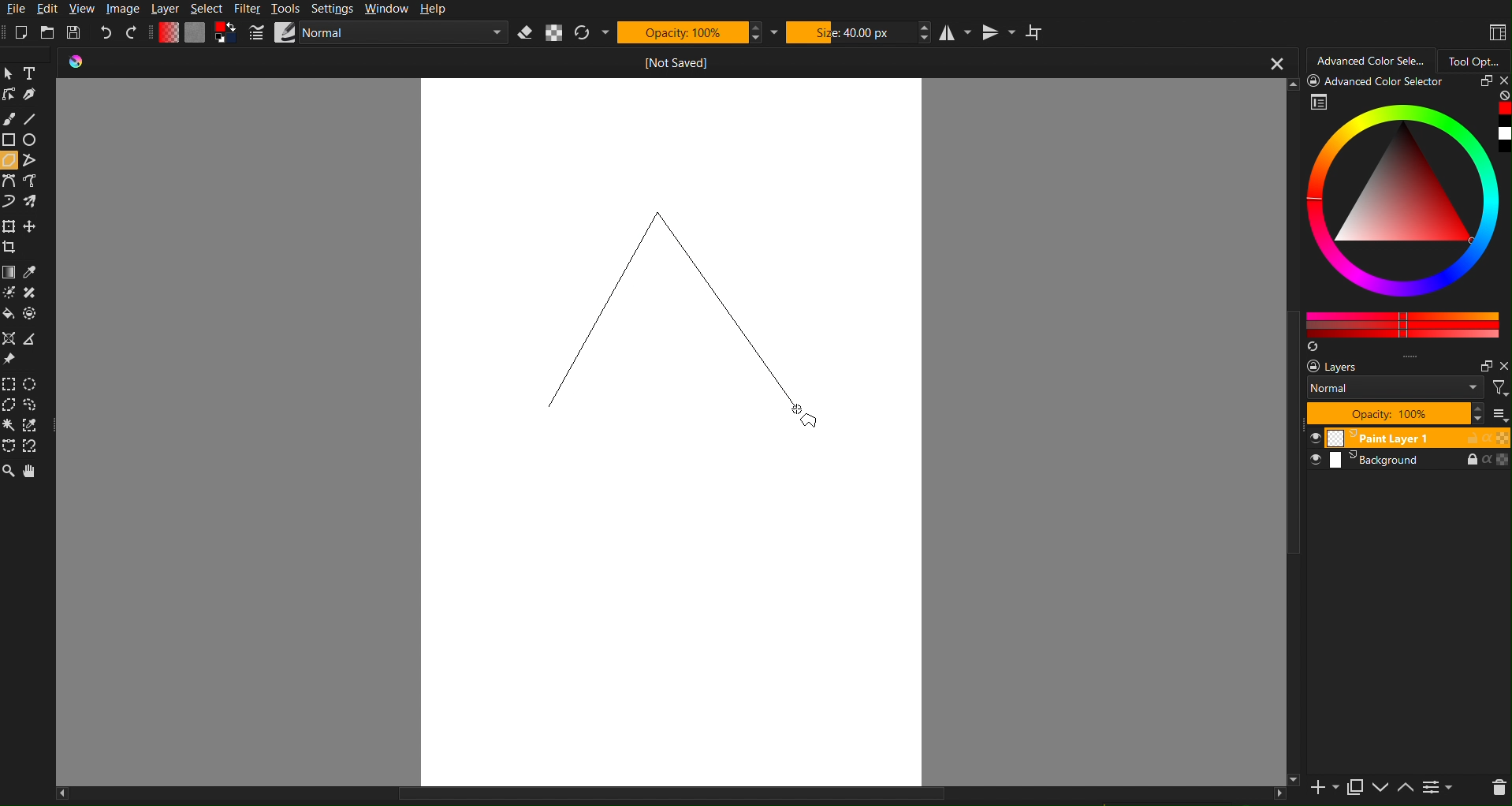 This screenshot has width=1512, height=806. What do you see at coordinates (1396, 388) in the screenshot?
I see `blend mode` at bounding box center [1396, 388].